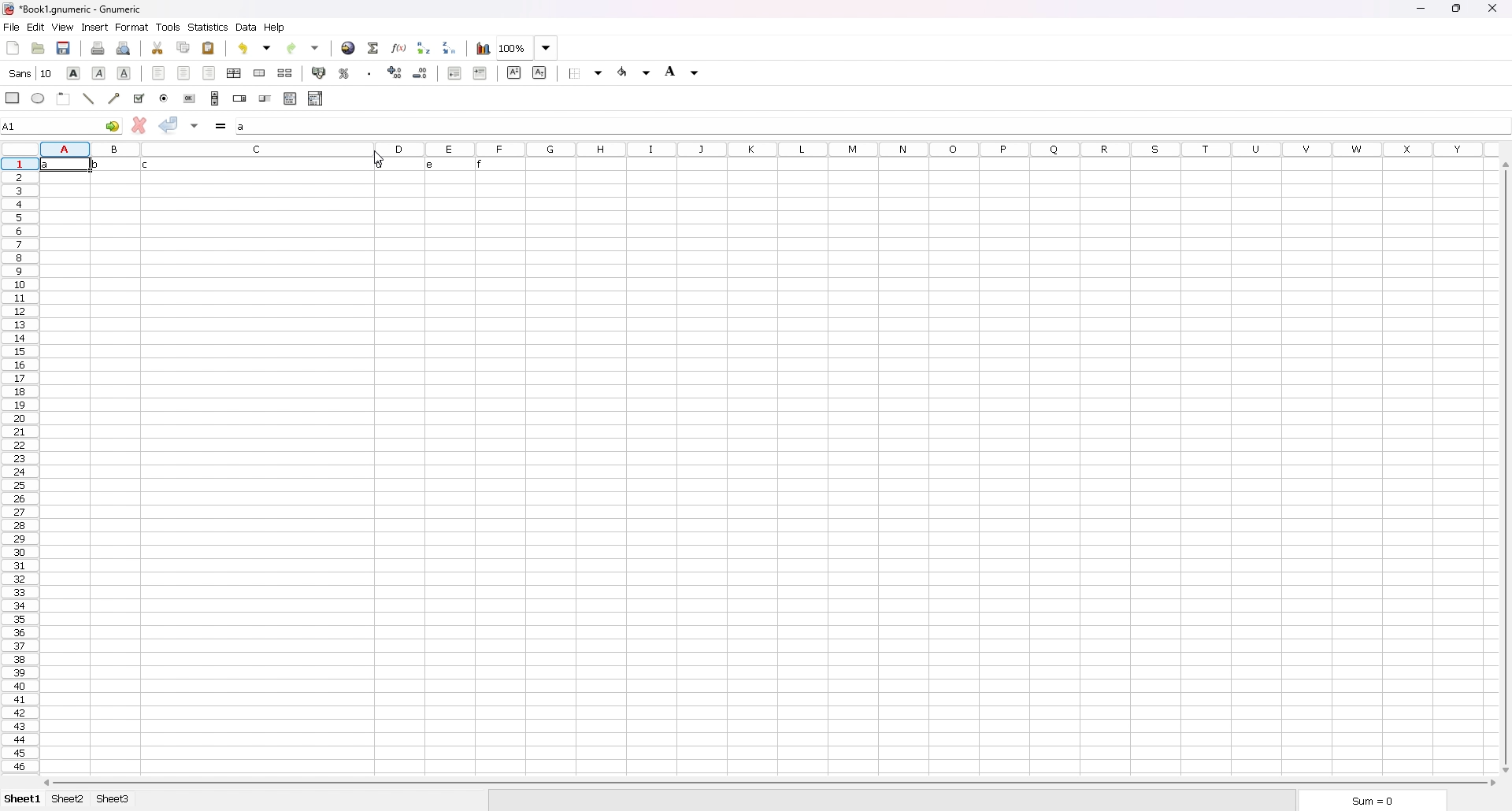 Image resolution: width=1512 pixels, height=811 pixels. I want to click on file, so click(11, 27).